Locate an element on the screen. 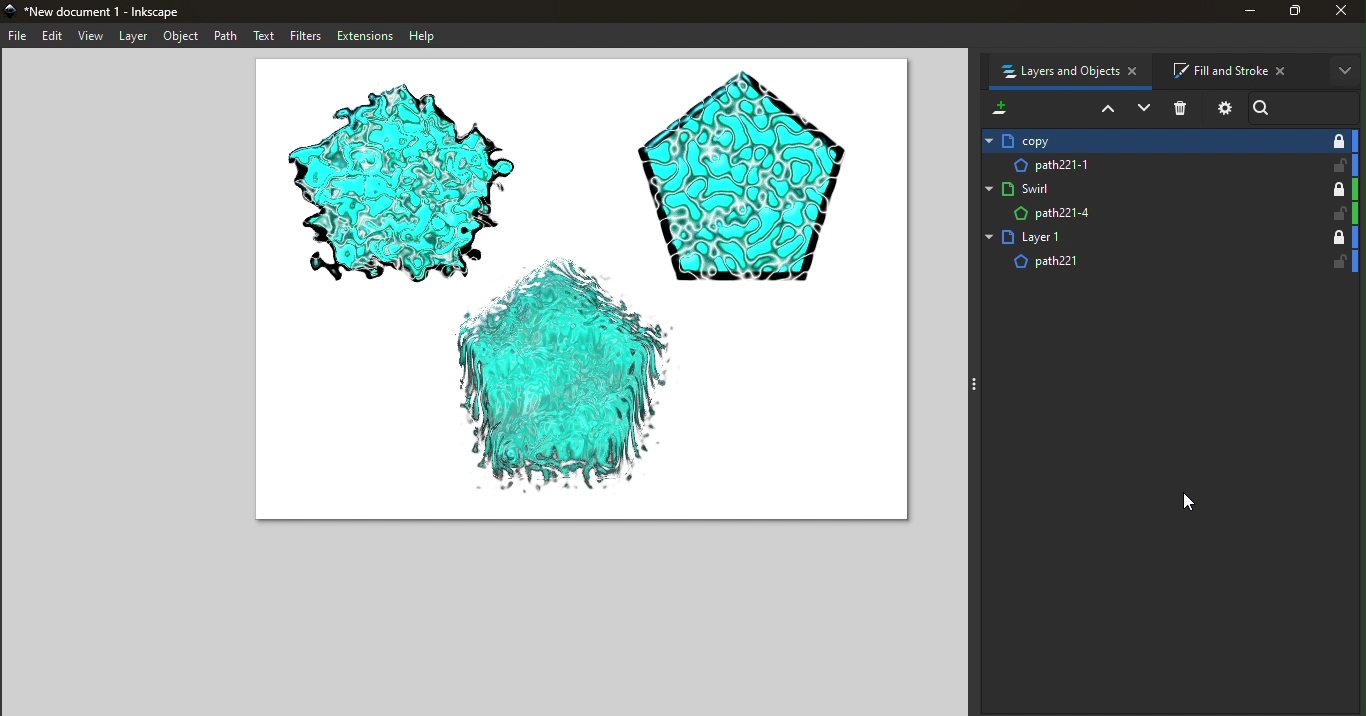 Image resolution: width=1366 pixels, height=716 pixels. path221-4 is located at coordinates (1147, 214).